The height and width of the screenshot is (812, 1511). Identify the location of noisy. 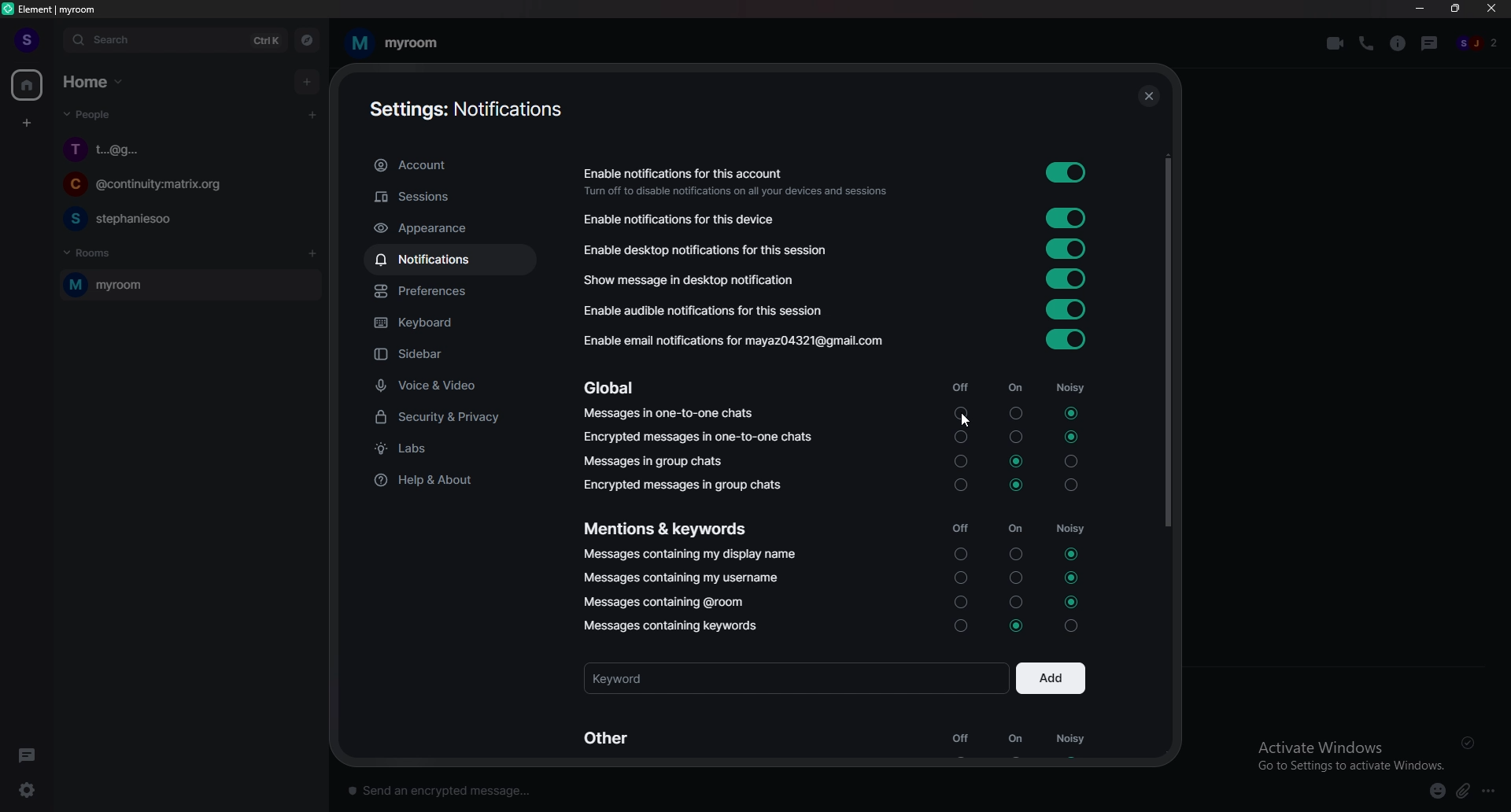
(1072, 740).